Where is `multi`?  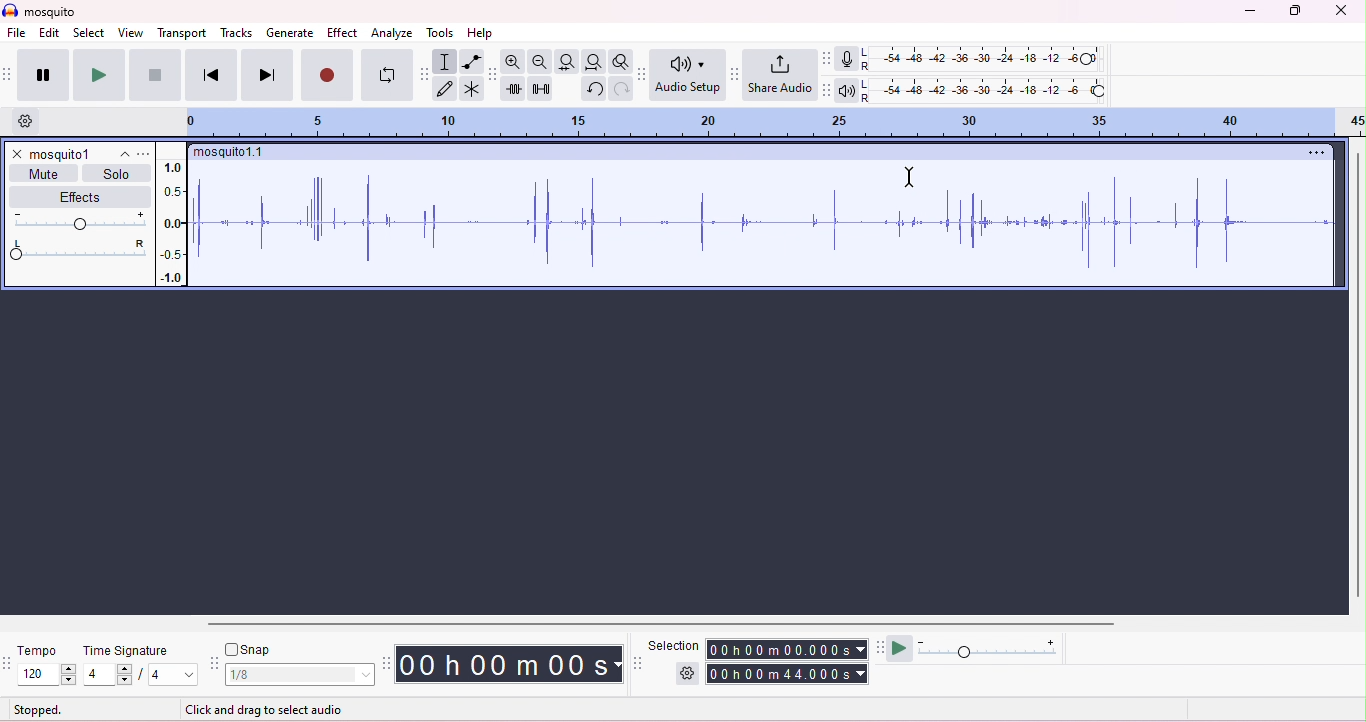
multi is located at coordinates (470, 88).